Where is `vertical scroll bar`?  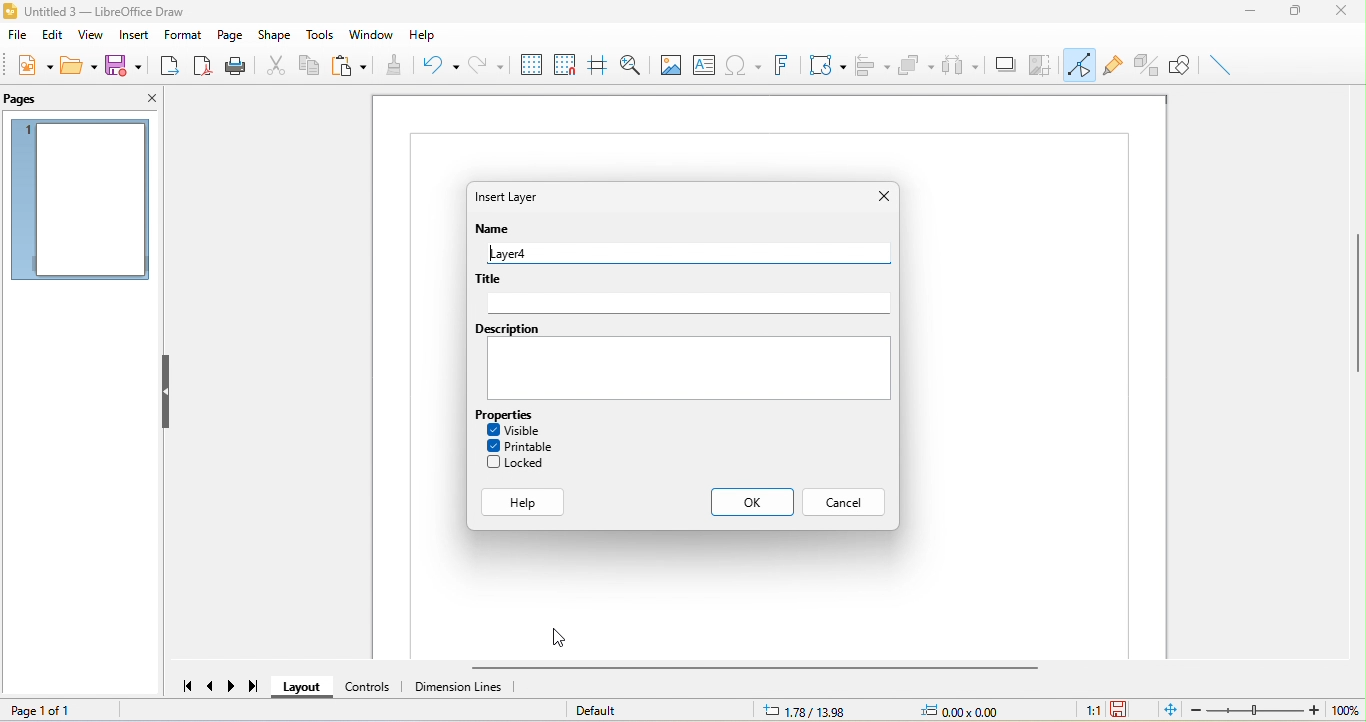
vertical scroll bar is located at coordinates (1353, 302).